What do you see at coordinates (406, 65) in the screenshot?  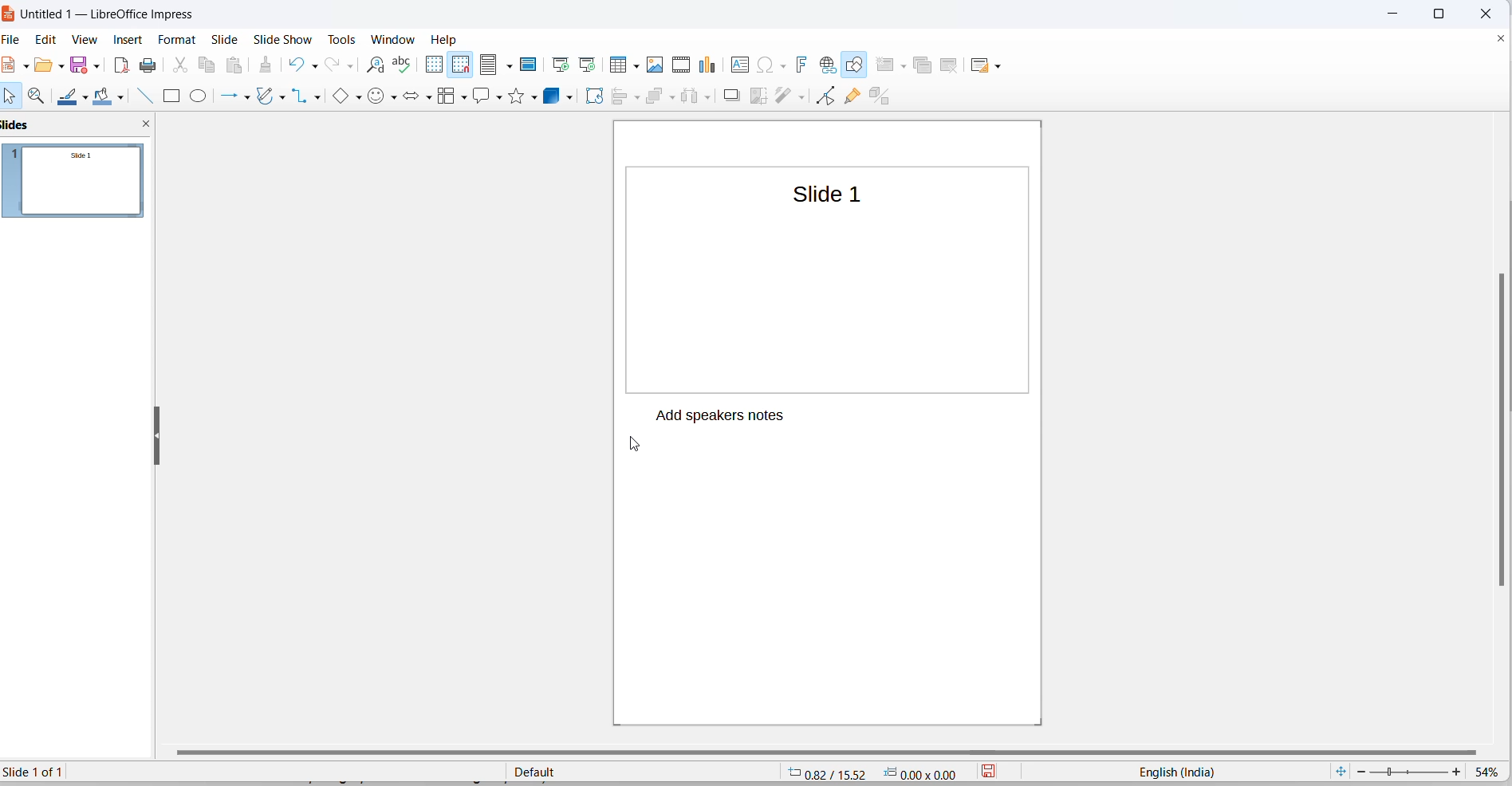 I see `spellings ` at bounding box center [406, 65].